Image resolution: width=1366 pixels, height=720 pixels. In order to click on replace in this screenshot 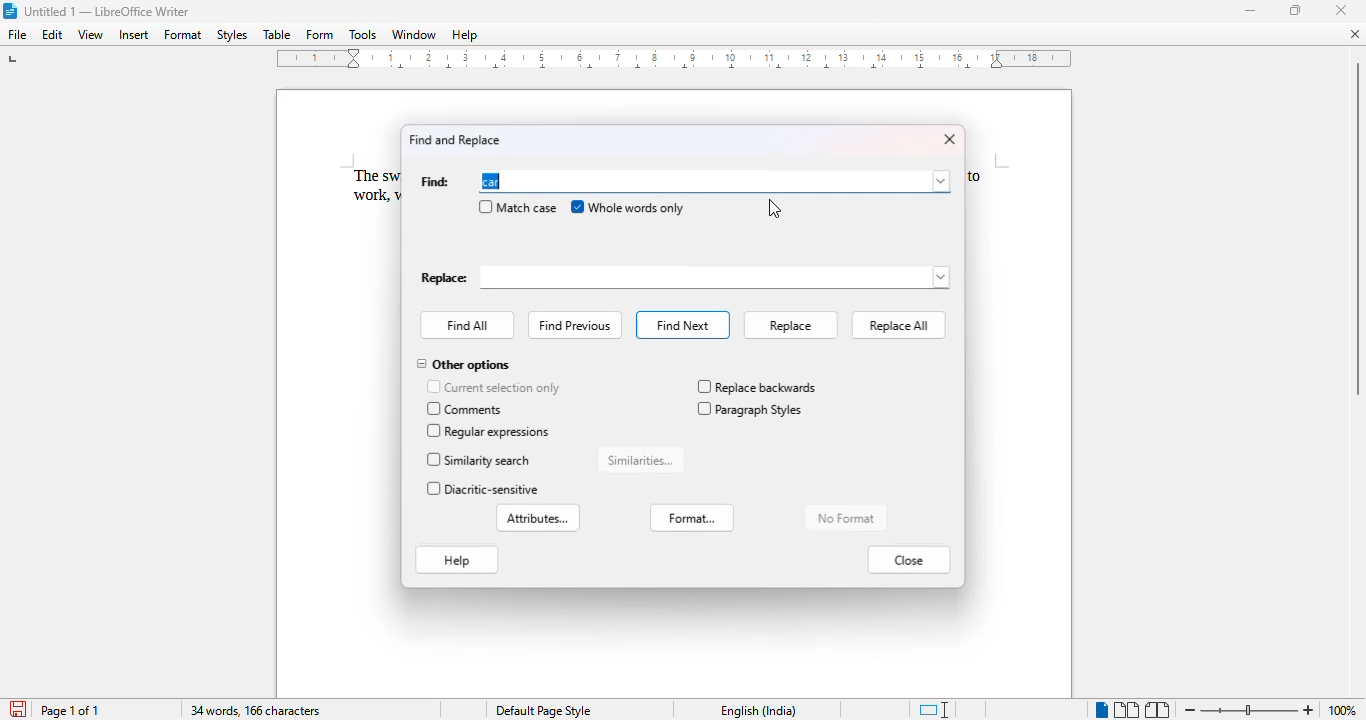, I will do `click(790, 325)`.